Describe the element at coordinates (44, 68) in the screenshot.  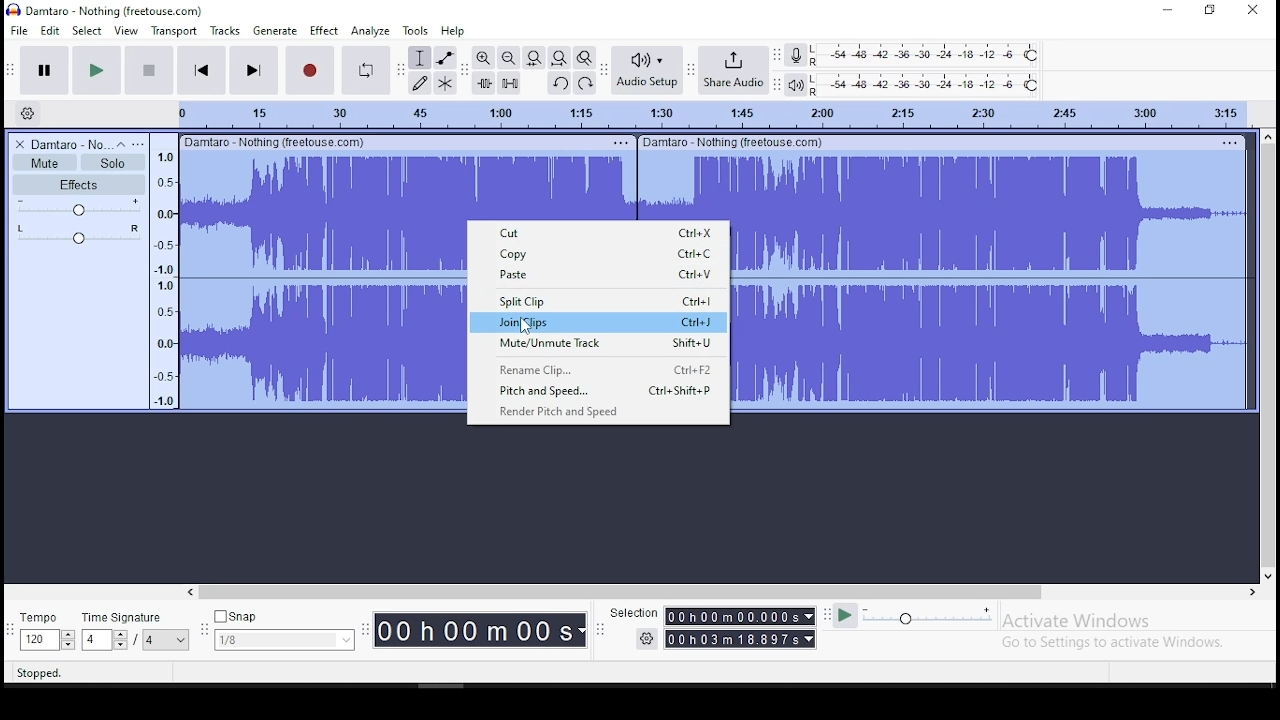
I see `pause` at that location.